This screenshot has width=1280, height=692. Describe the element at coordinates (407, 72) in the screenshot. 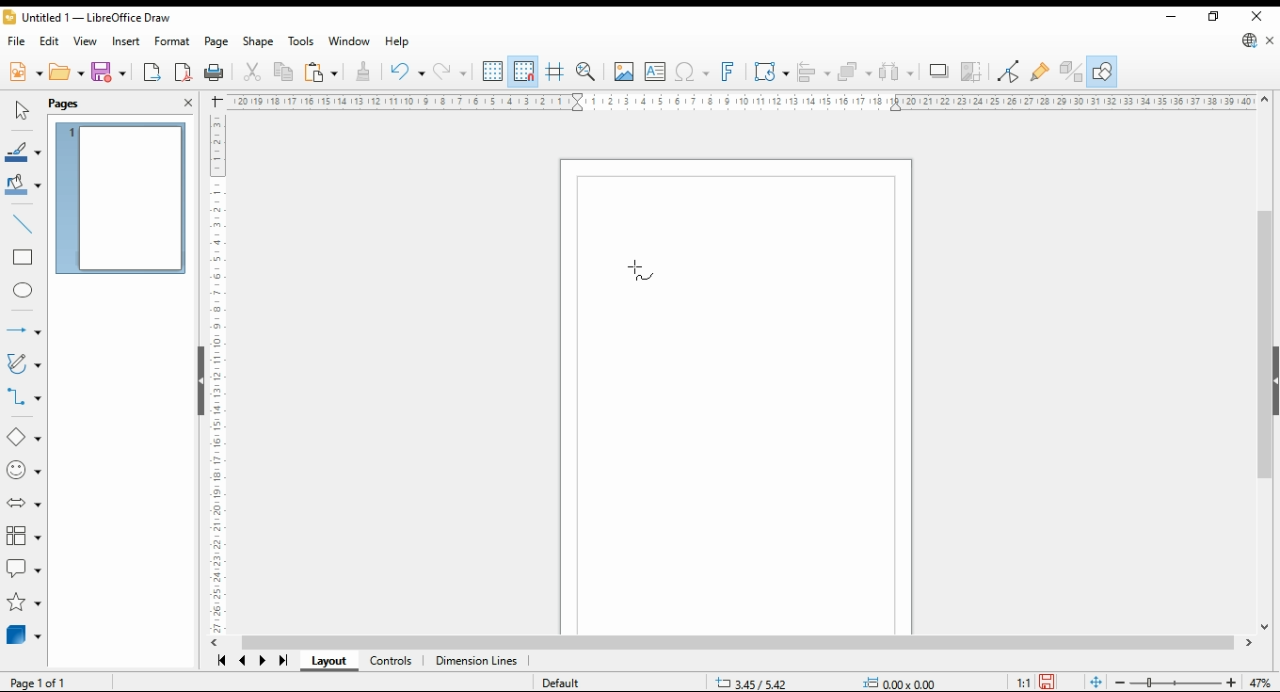

I see `undo` at that location.